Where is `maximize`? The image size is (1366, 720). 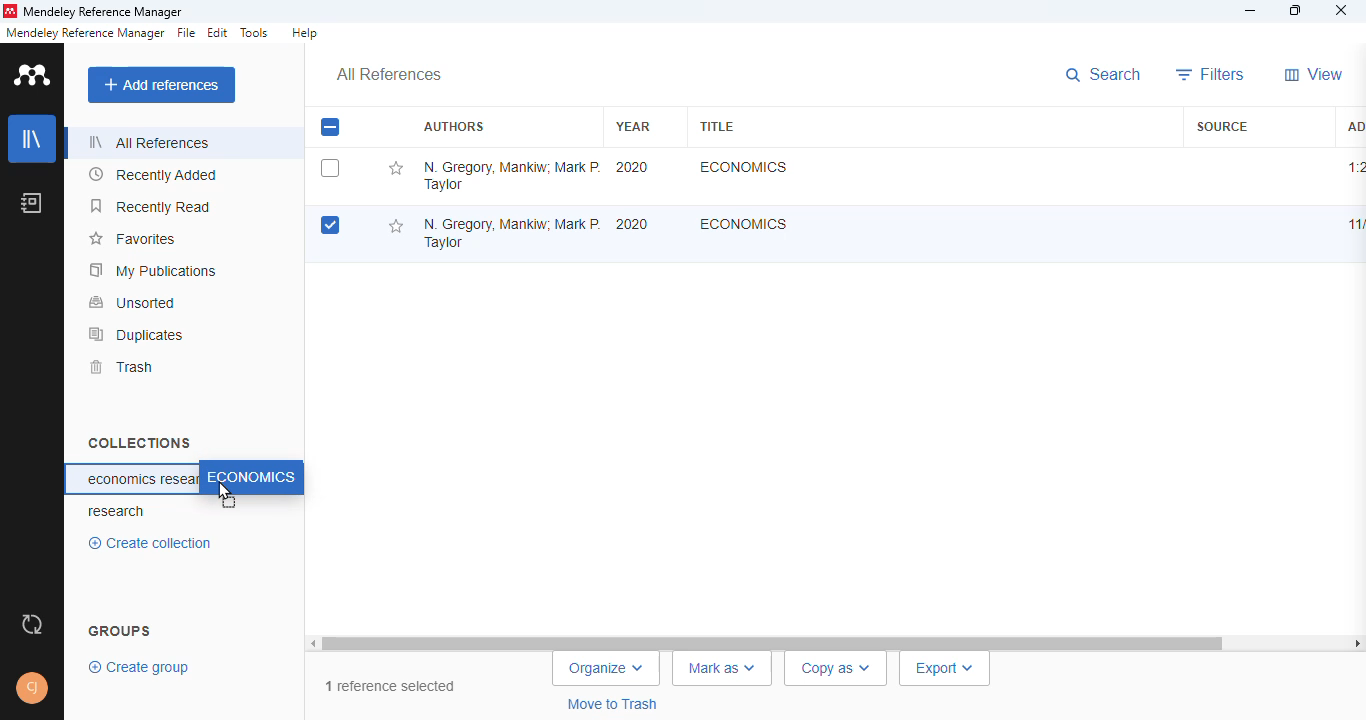 maximize is located at coordinates (1298, 11).